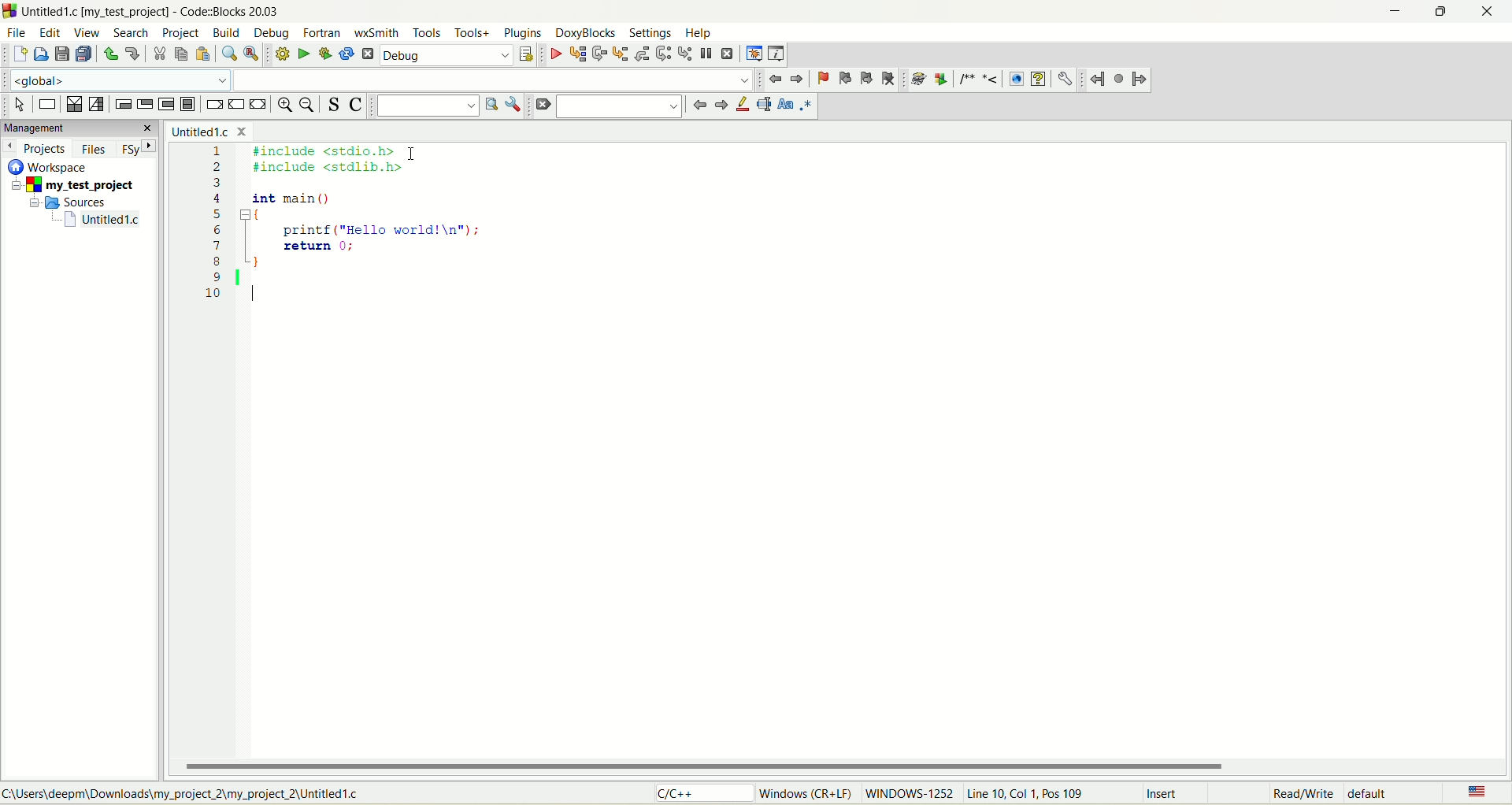 This screenshot has height=805, width=1512. Describe the element at coordinates (111, 54) in the screenshot. I see `undo` at that location.